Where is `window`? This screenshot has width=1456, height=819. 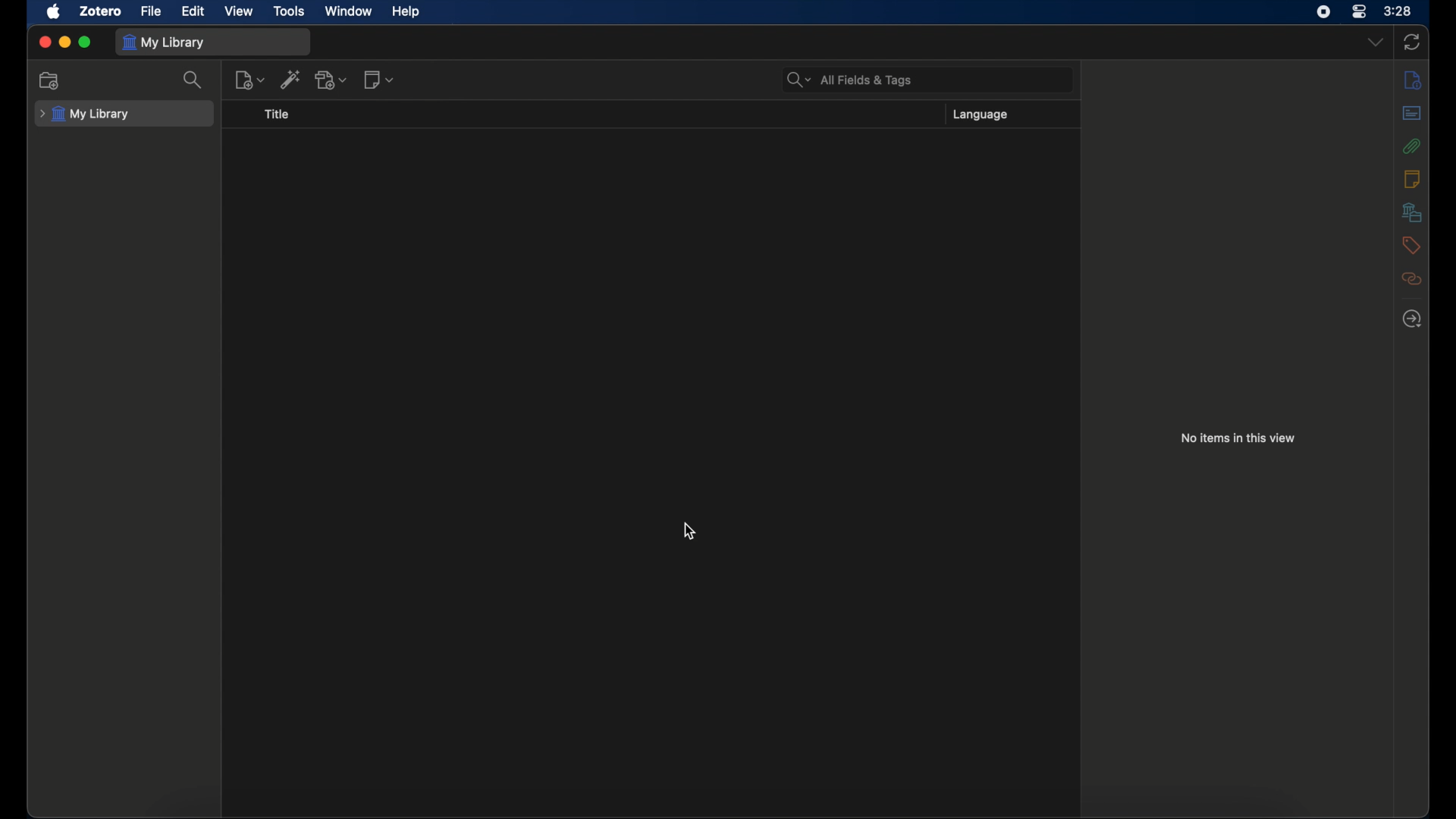
window is located at coordinates (349, 11).